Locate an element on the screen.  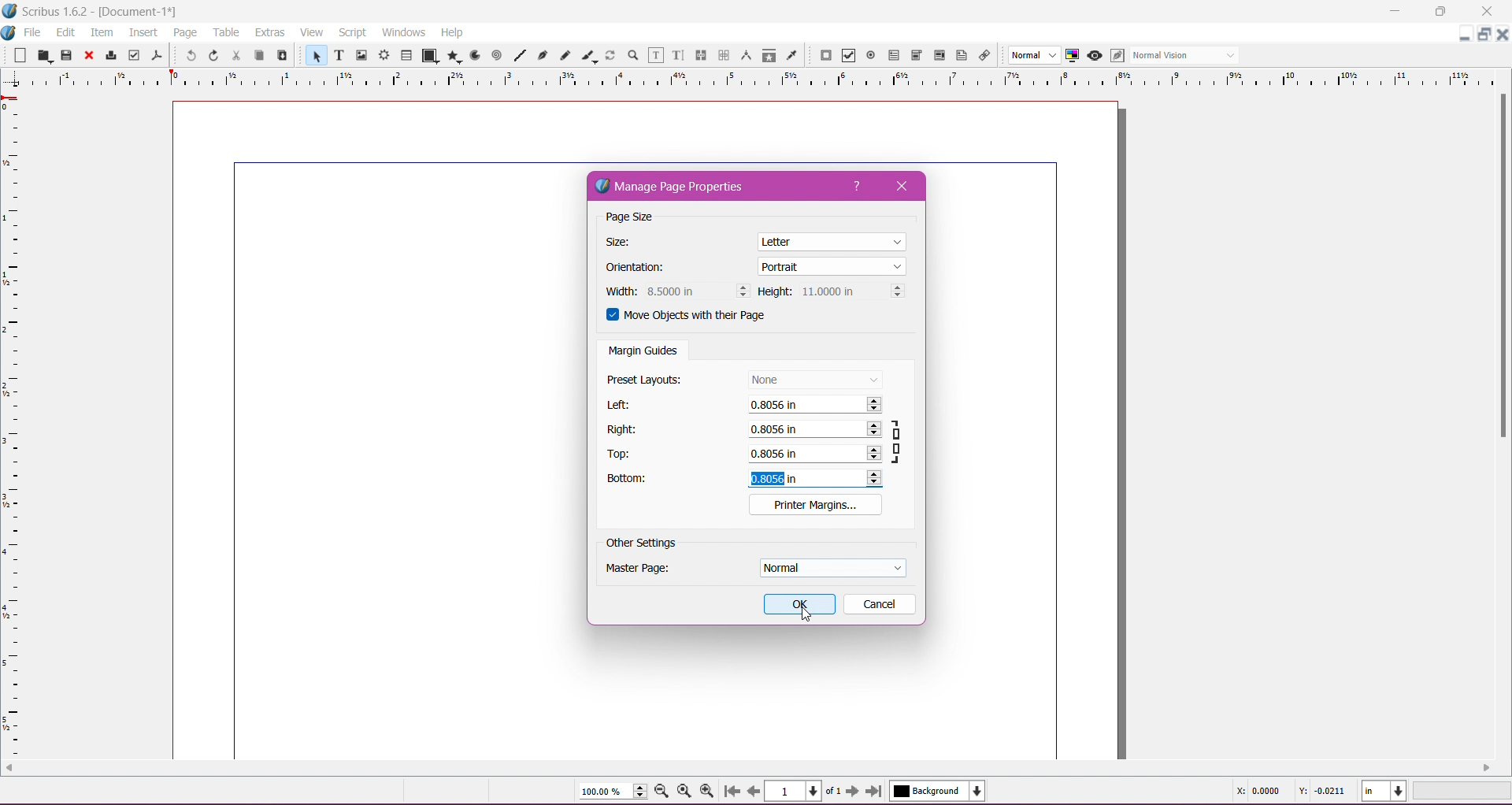
Unlink Text Frames is located at coordinates (723, 55).